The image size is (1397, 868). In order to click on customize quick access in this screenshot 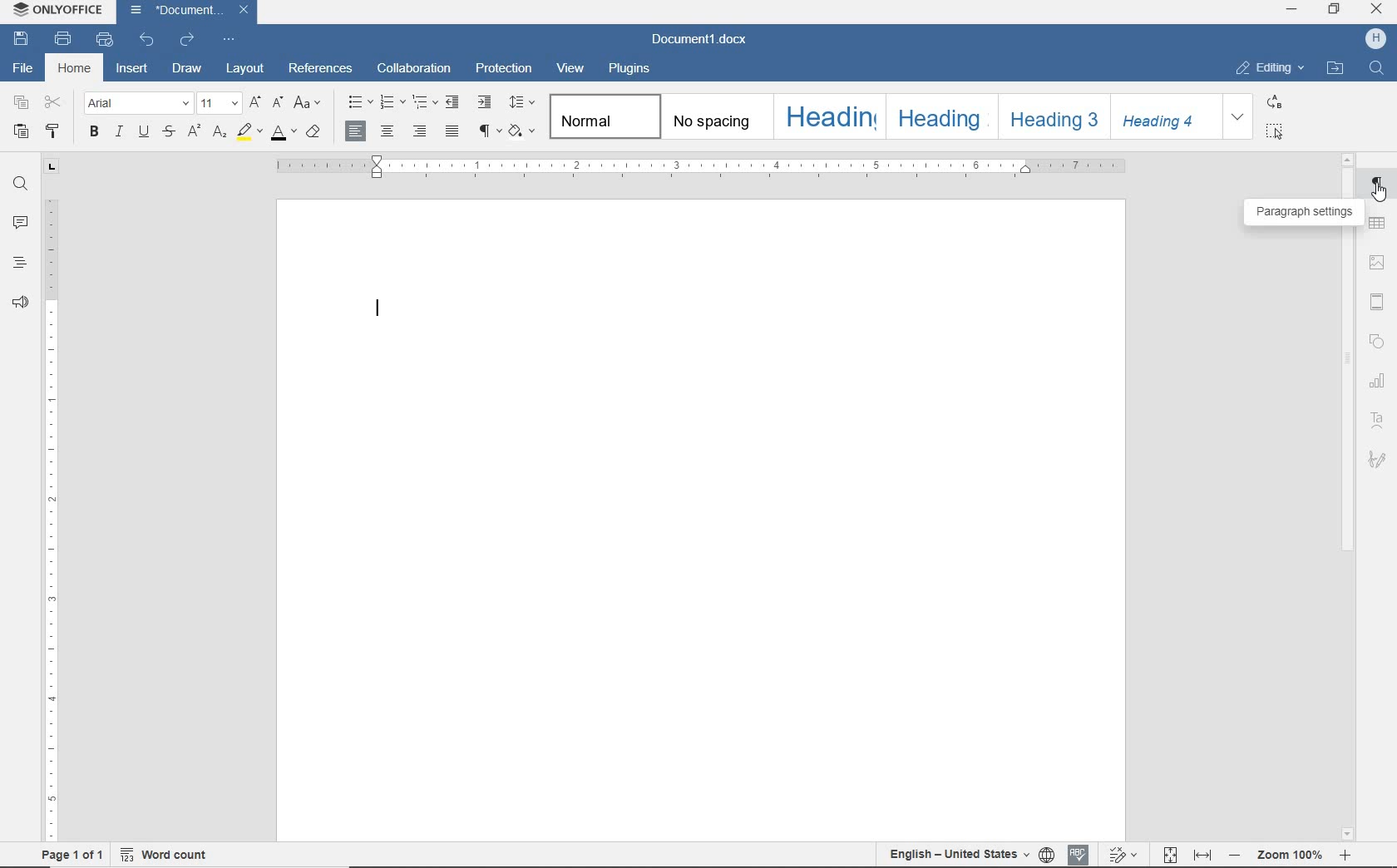, I will do `click(230, 39)`.